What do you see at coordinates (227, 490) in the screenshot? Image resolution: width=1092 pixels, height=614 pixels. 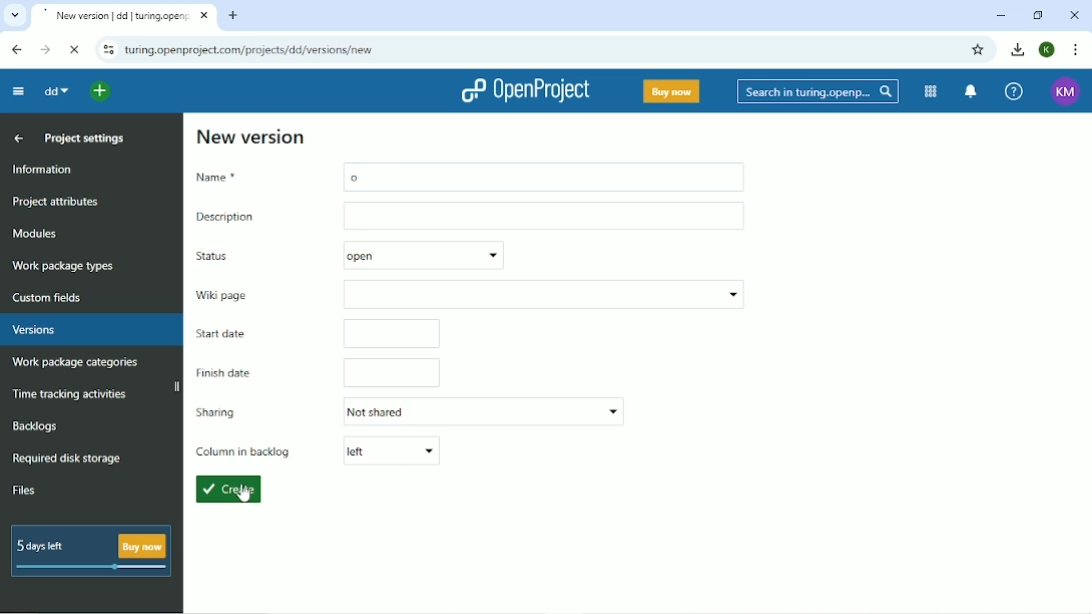 I see `Create` at bounding box center [227, 490].